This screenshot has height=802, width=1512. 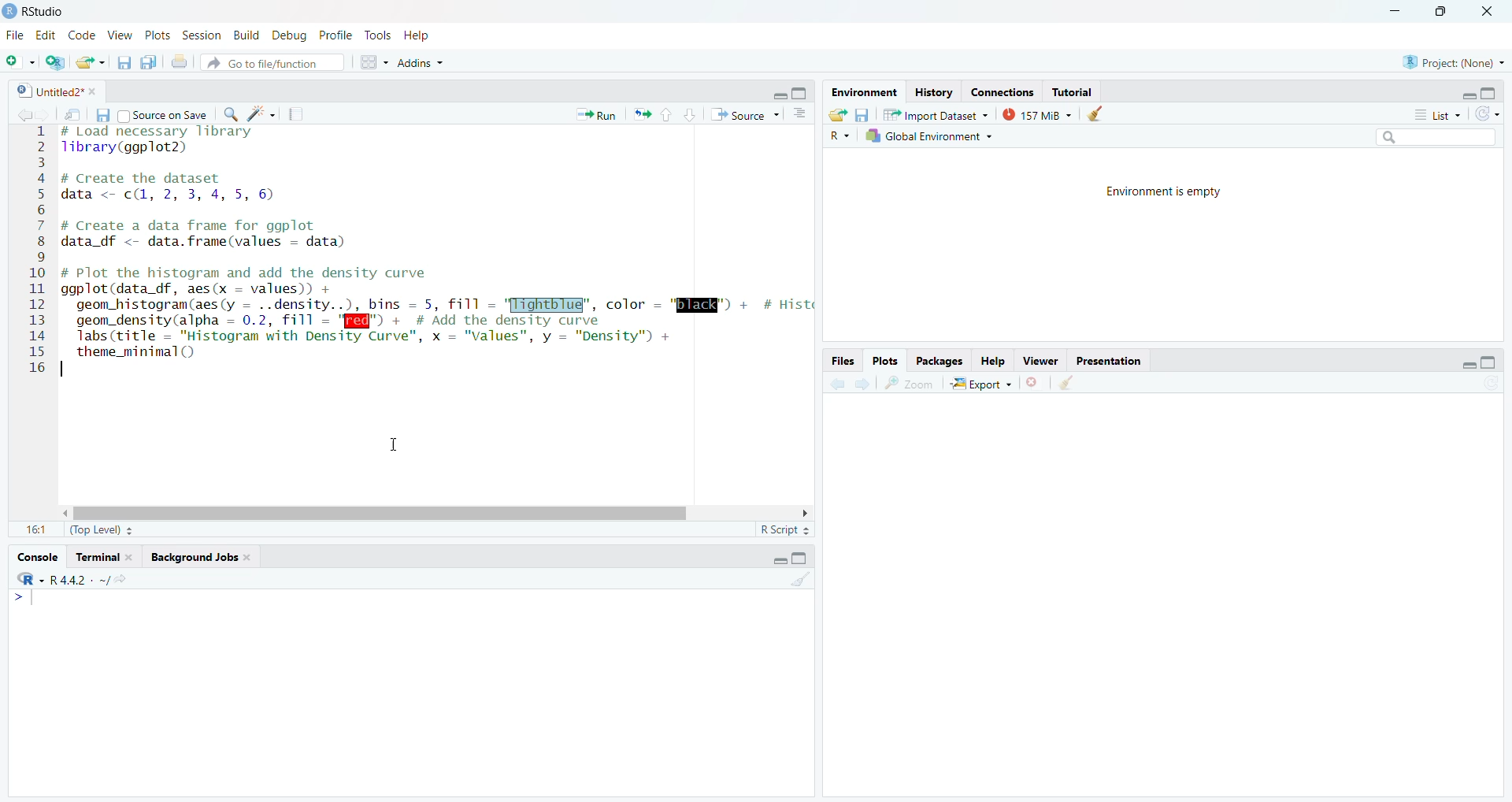 What do you see at coordinates (421, 35) in the screenshot?
I see `Help` at bounding box center [421, 35].